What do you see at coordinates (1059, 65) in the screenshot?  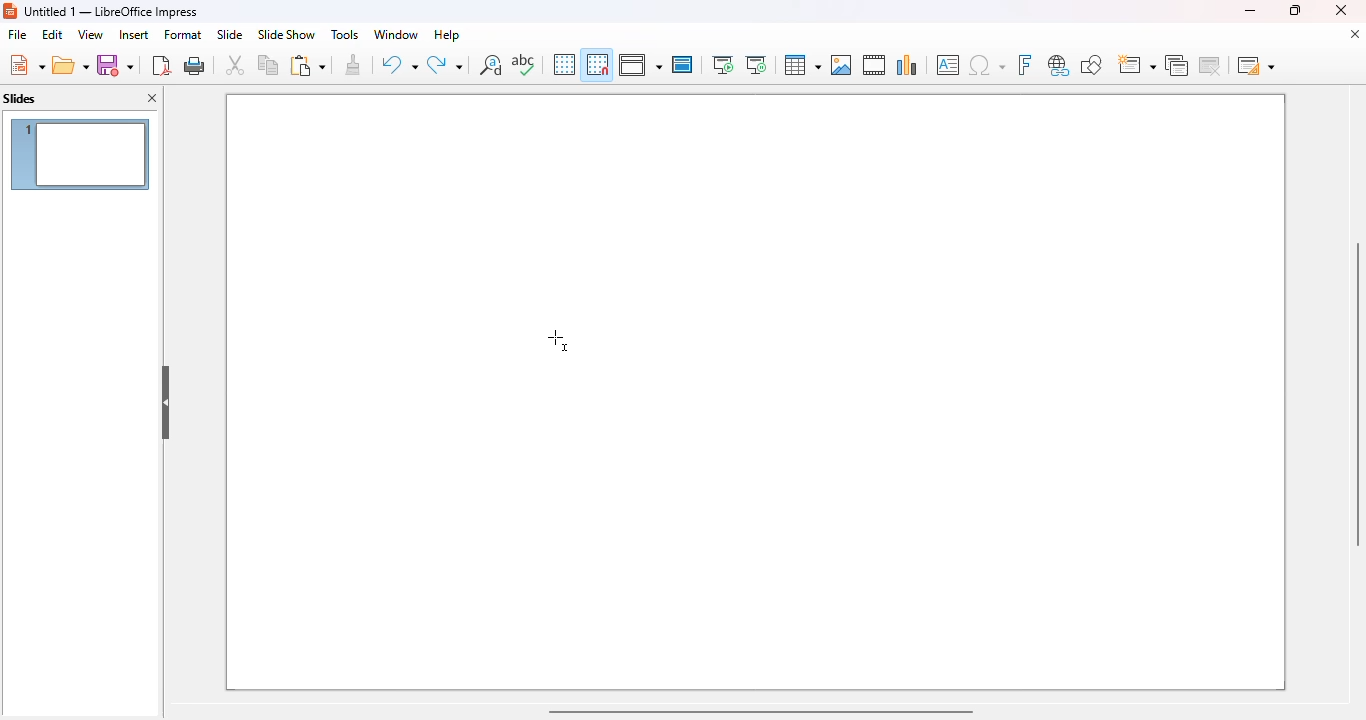 I see `insert hyperlink` at bounding box center [1059, 65].